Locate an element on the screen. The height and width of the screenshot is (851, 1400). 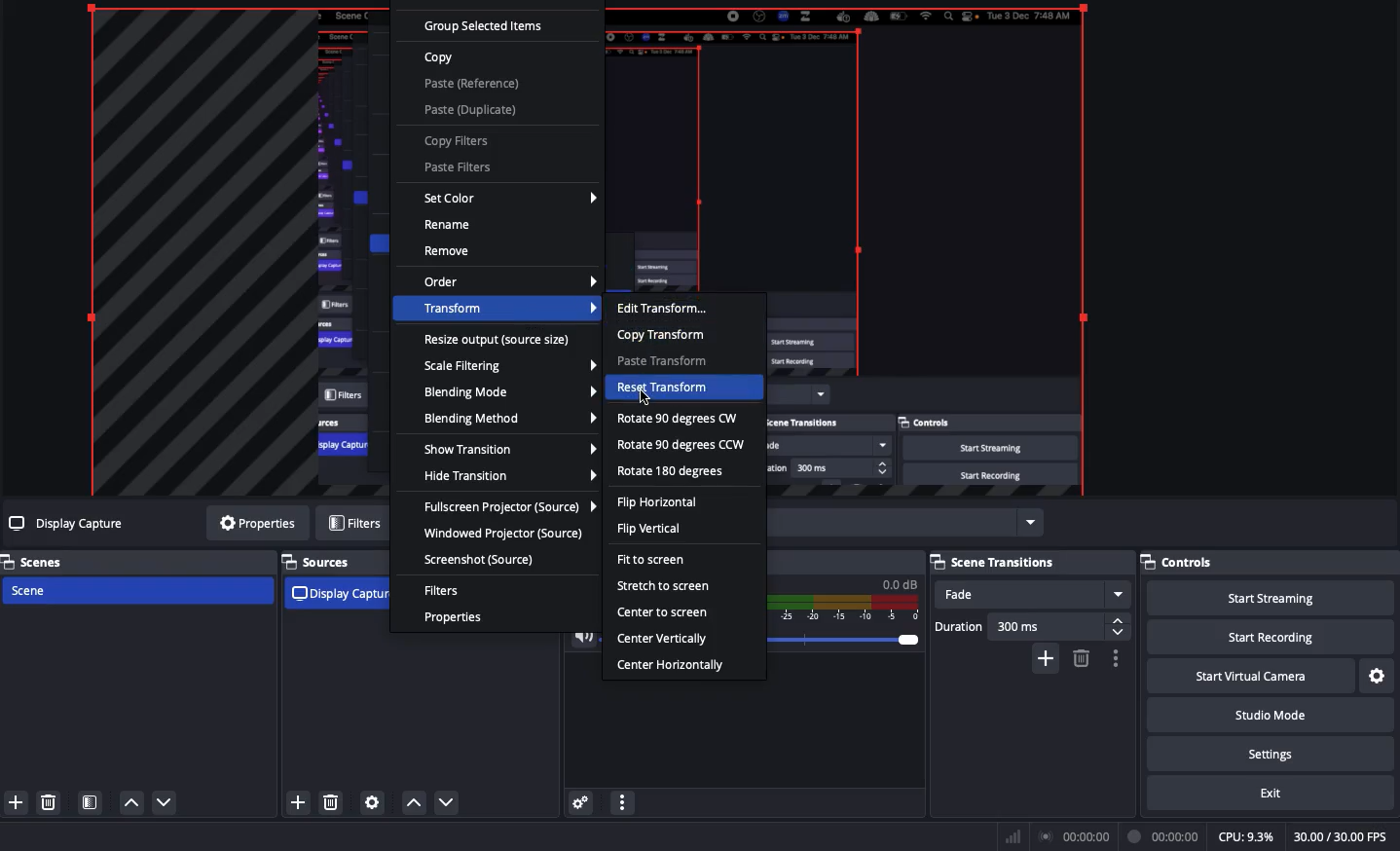
Set color is located at coordinates (508, 197).